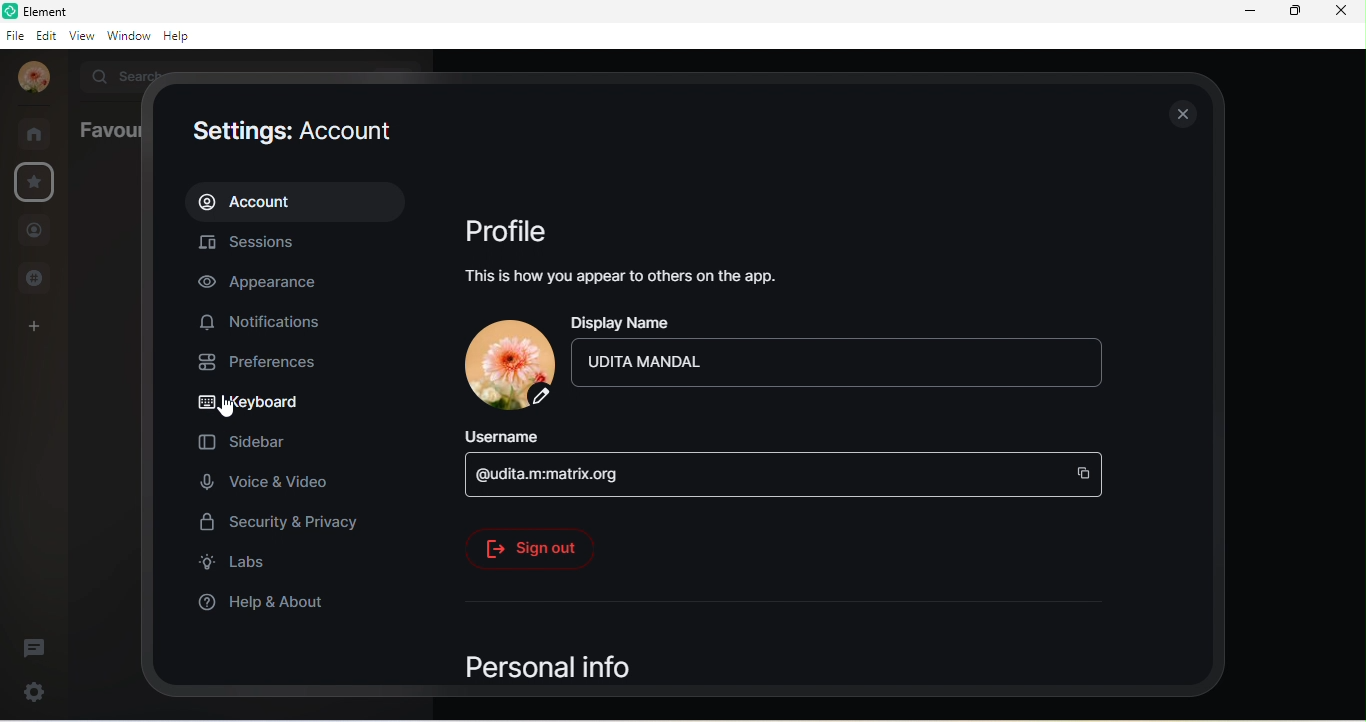 This screenshot has width=1366, height=722. What do you see at coordinates (39, 694) in the screenshot?
I see `settings` at bounding box center [39, 694].